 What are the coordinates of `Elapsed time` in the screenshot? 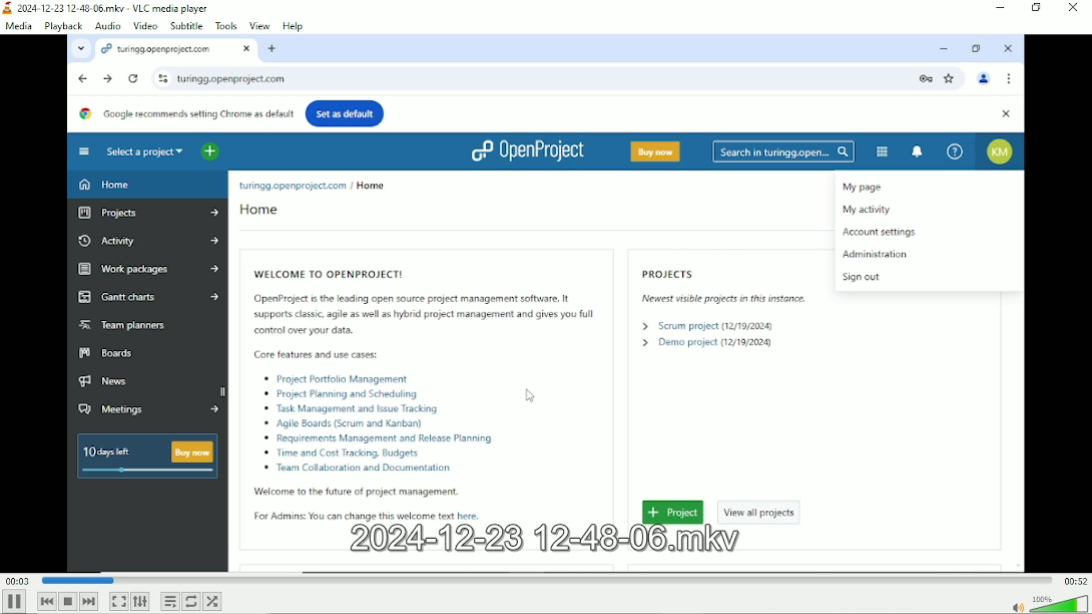 It's located at (17, 580).